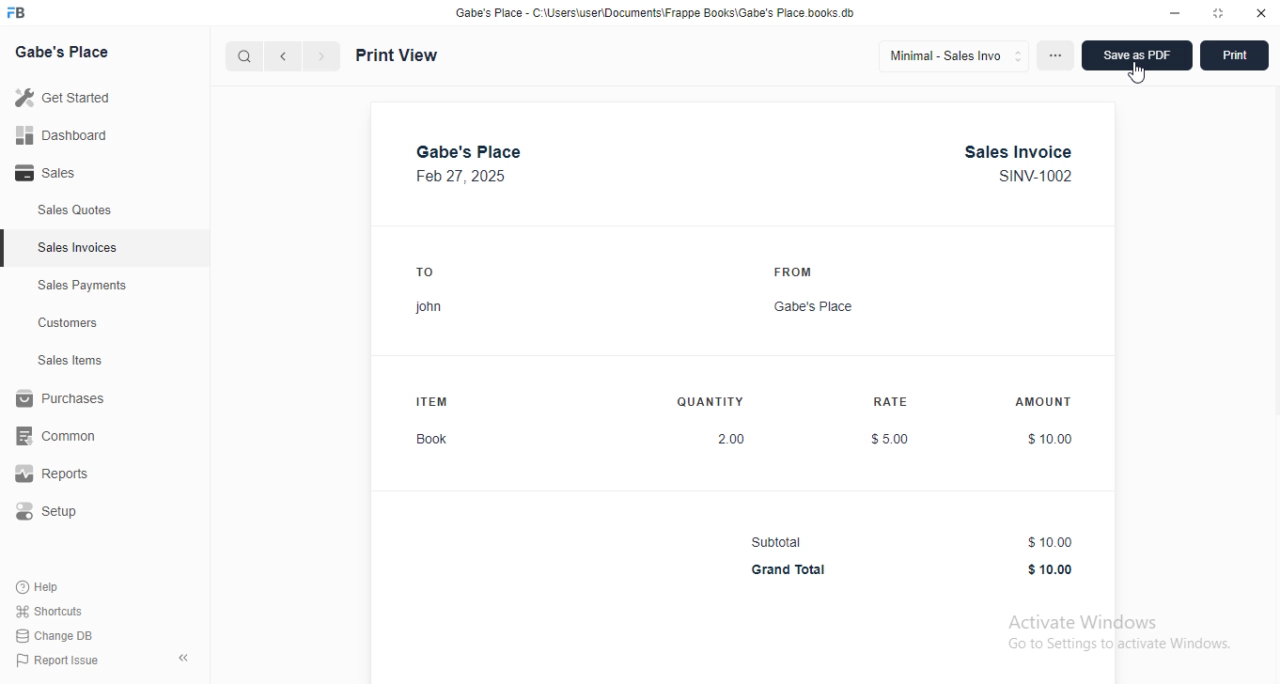 This screenshot has height=684, width=1280. I want to click on $10.00, so click(1051, 570).